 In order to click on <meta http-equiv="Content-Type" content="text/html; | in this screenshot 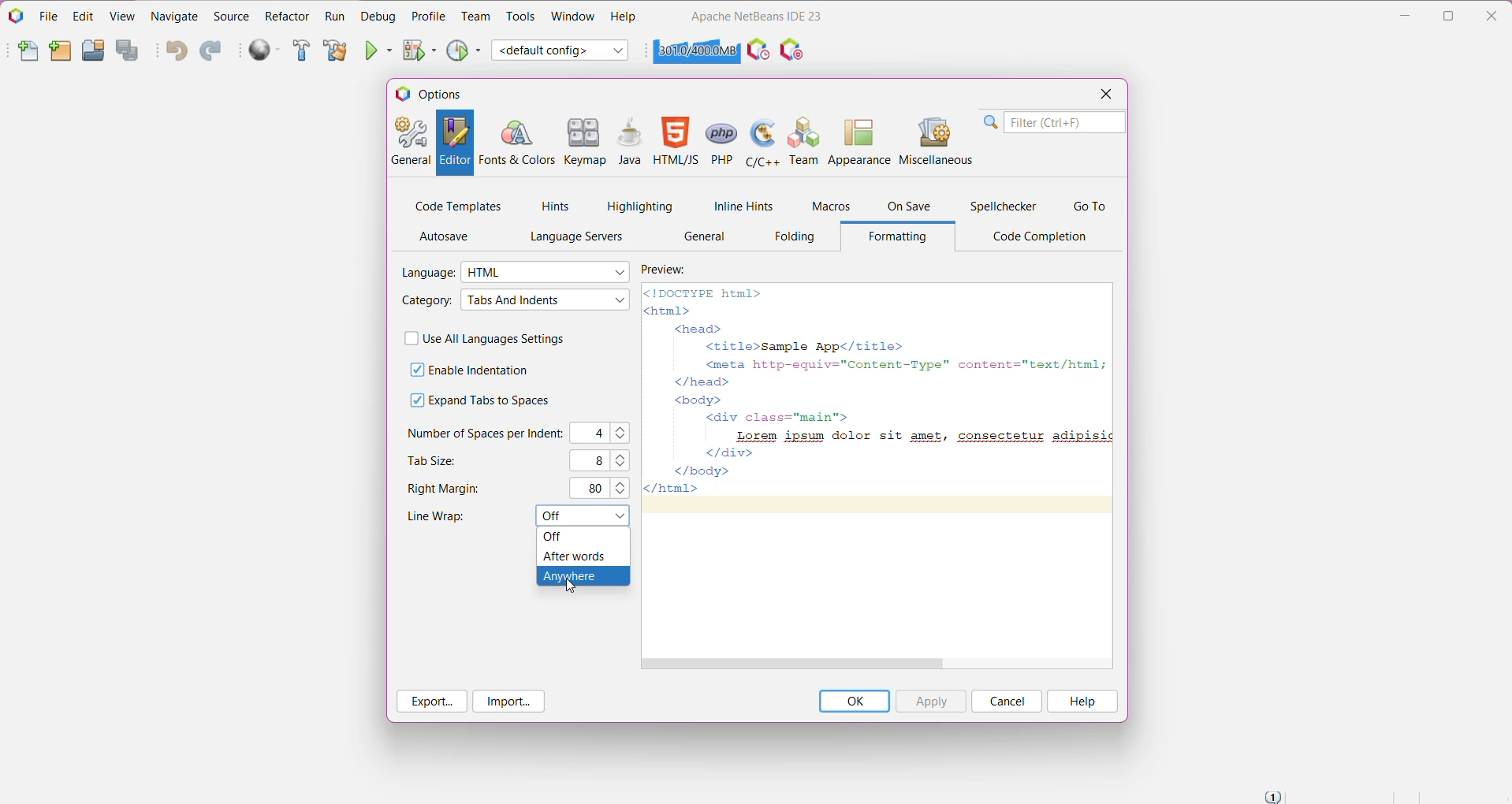, I will do `click(900, 364)`.